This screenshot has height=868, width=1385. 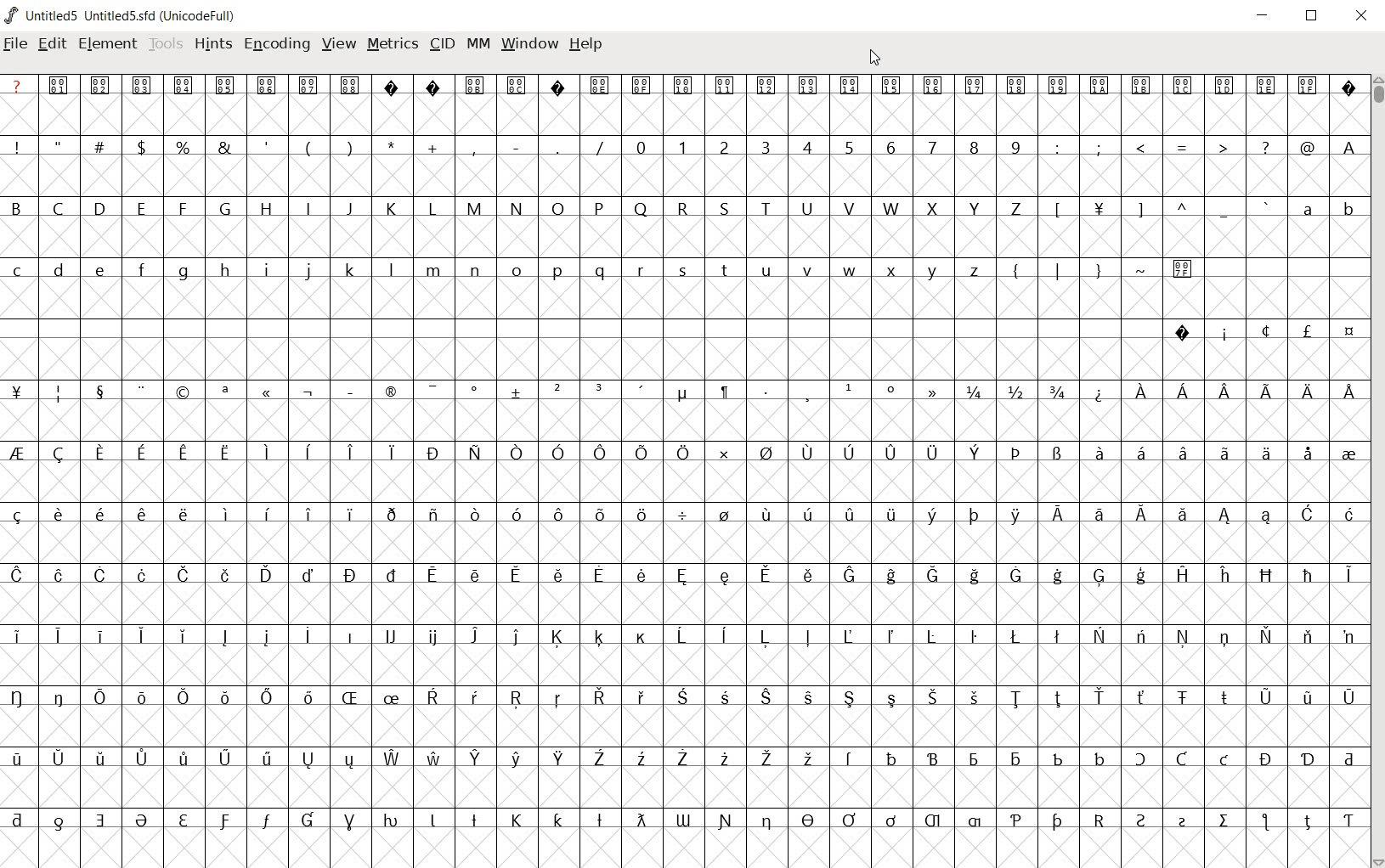 What do you see at coordinates (517, 84) in the screenshot?
I see `Symbol` at bounding box center [517, 84].